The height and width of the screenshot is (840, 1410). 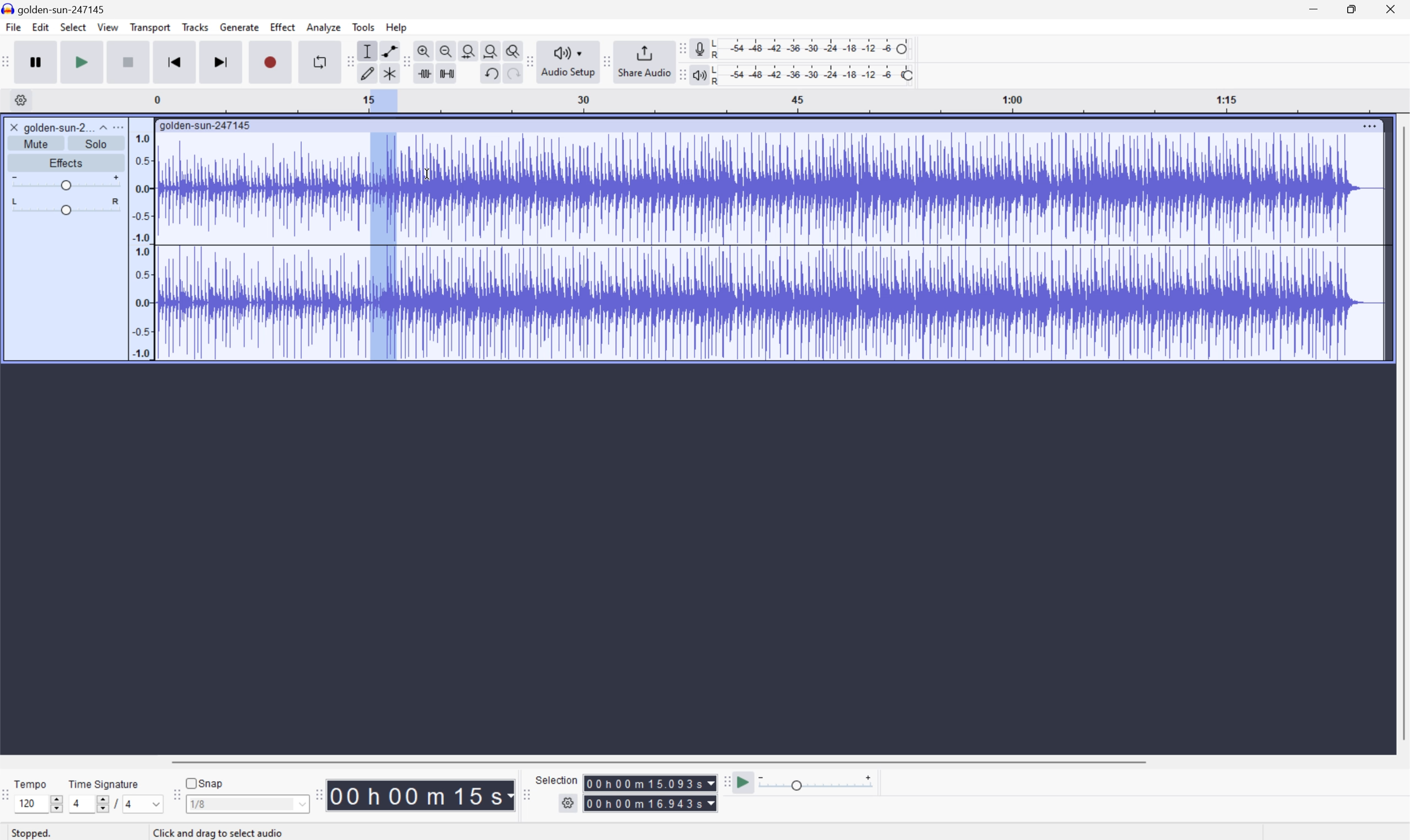 What do you see at coordinates (1370, 123) in the screenshot?
I see `More` at bounding box center [1370, 123].